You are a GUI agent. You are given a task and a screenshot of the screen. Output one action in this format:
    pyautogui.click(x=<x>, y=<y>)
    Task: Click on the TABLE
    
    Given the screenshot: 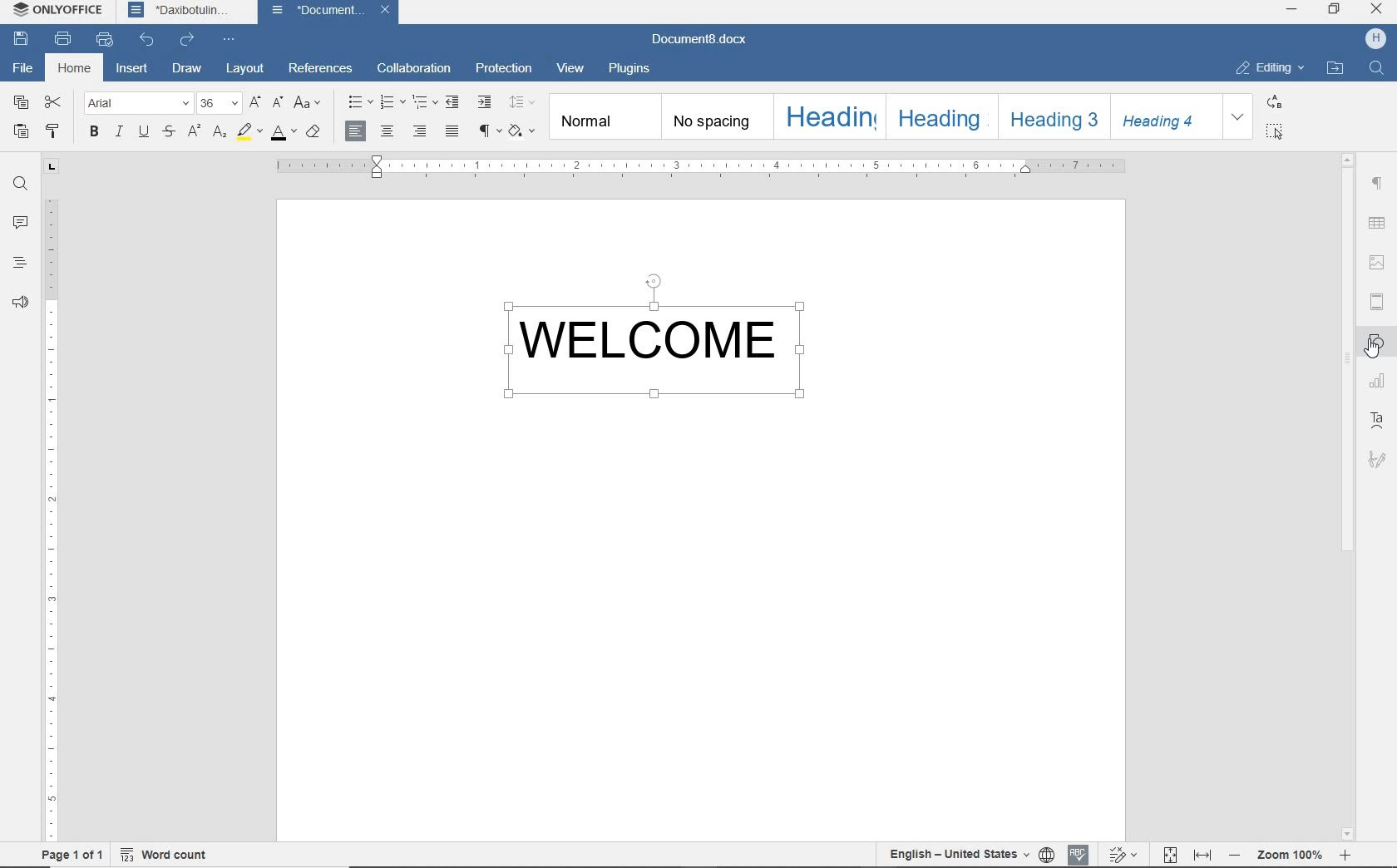 What is the action you would take?
    pyautogui.click(x=1378, y=224)
    